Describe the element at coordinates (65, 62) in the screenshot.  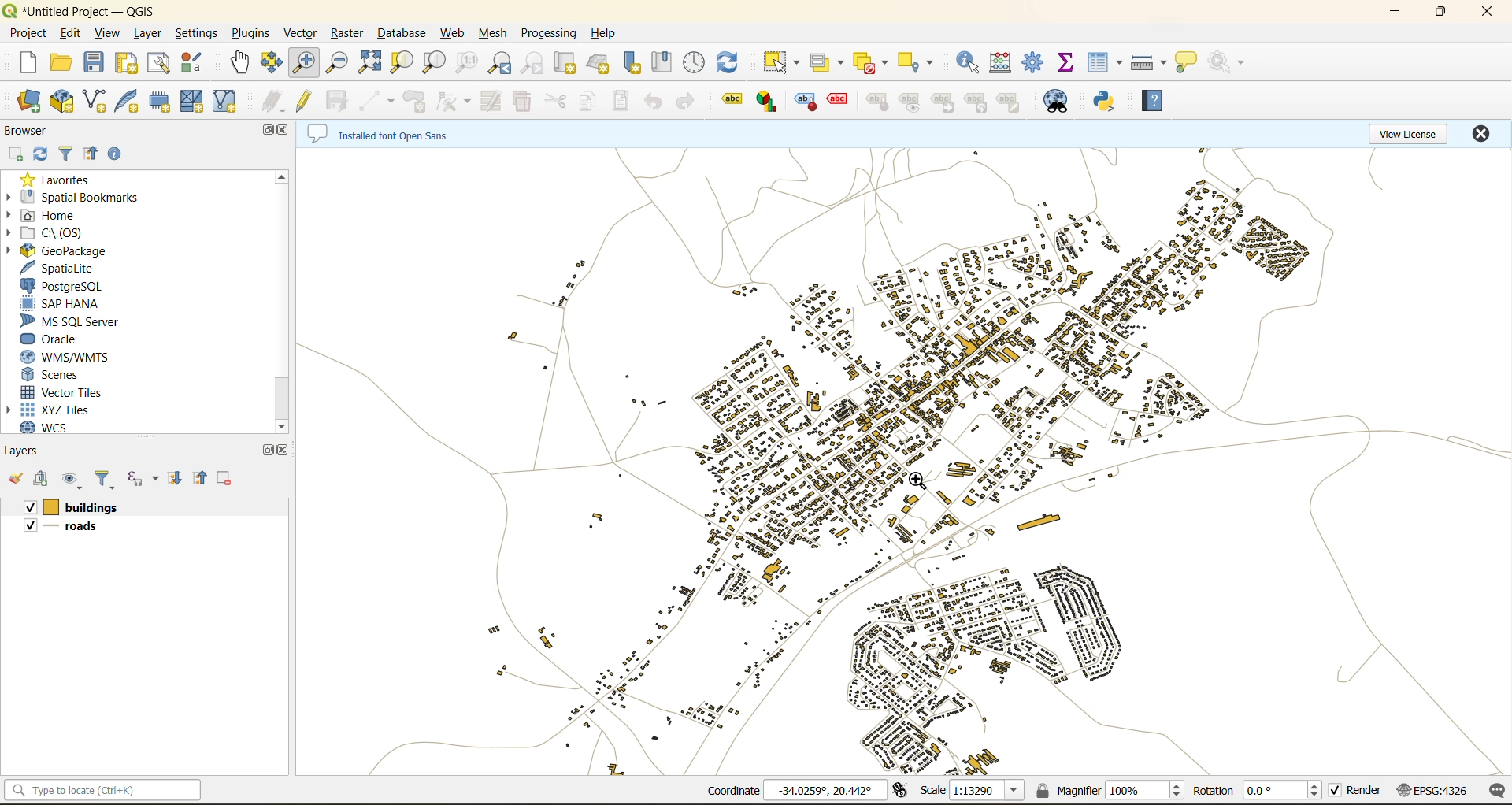
I see `open` at that location.